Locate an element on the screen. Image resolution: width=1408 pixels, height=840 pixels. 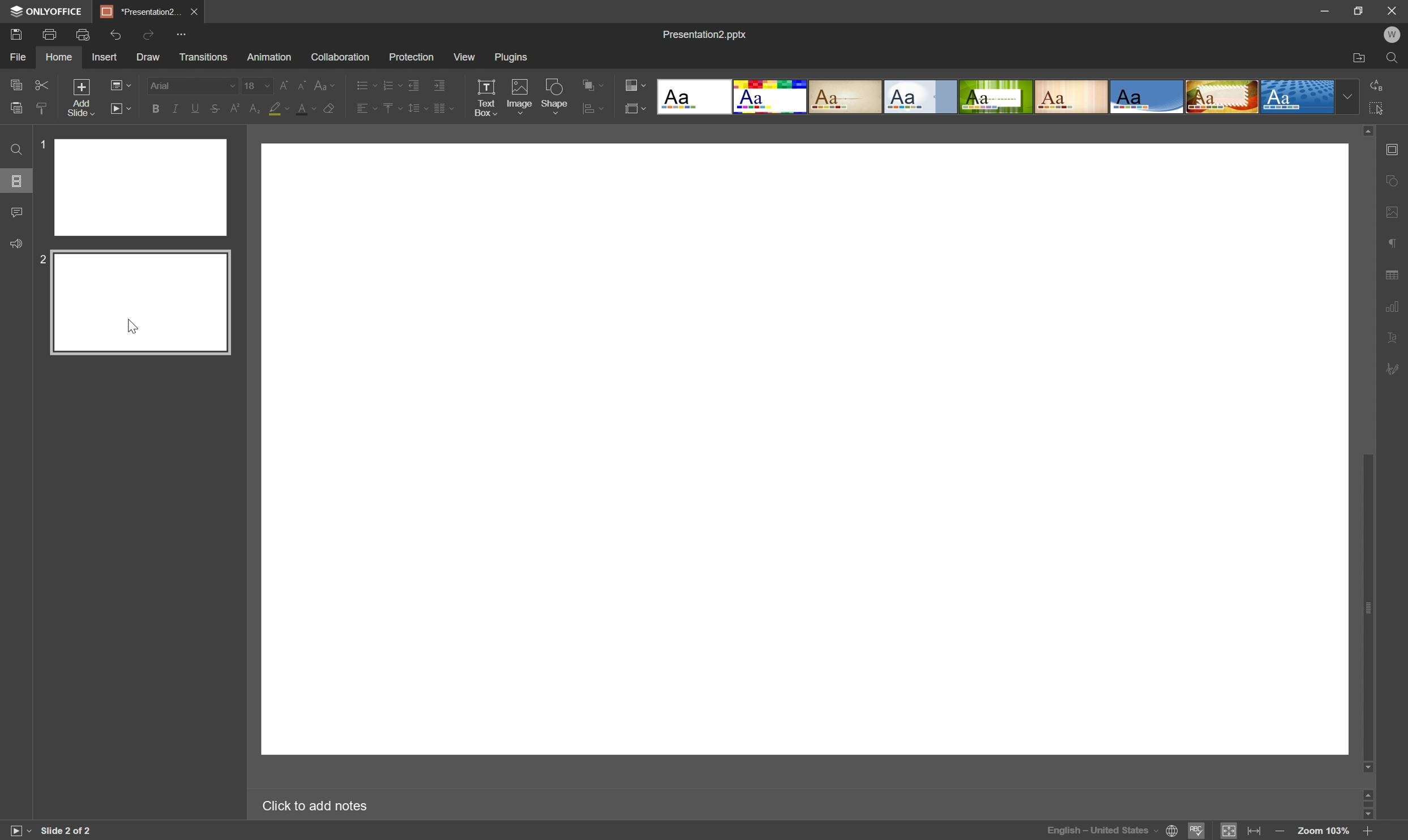
Scroll Up is located at coordinates (1374, 792).